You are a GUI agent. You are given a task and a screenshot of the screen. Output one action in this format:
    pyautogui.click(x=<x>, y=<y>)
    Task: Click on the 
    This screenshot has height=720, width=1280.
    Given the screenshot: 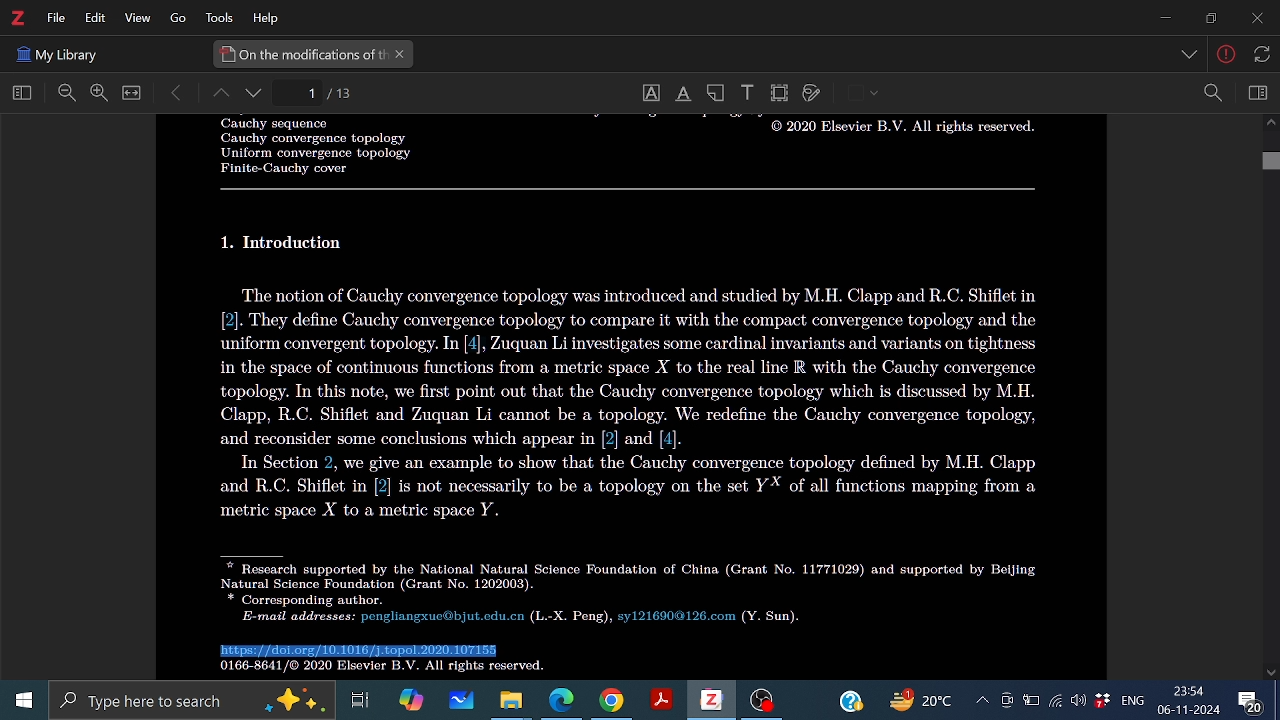 What is the action you would take?
    pyautogui.click(x=898, y=131)
    